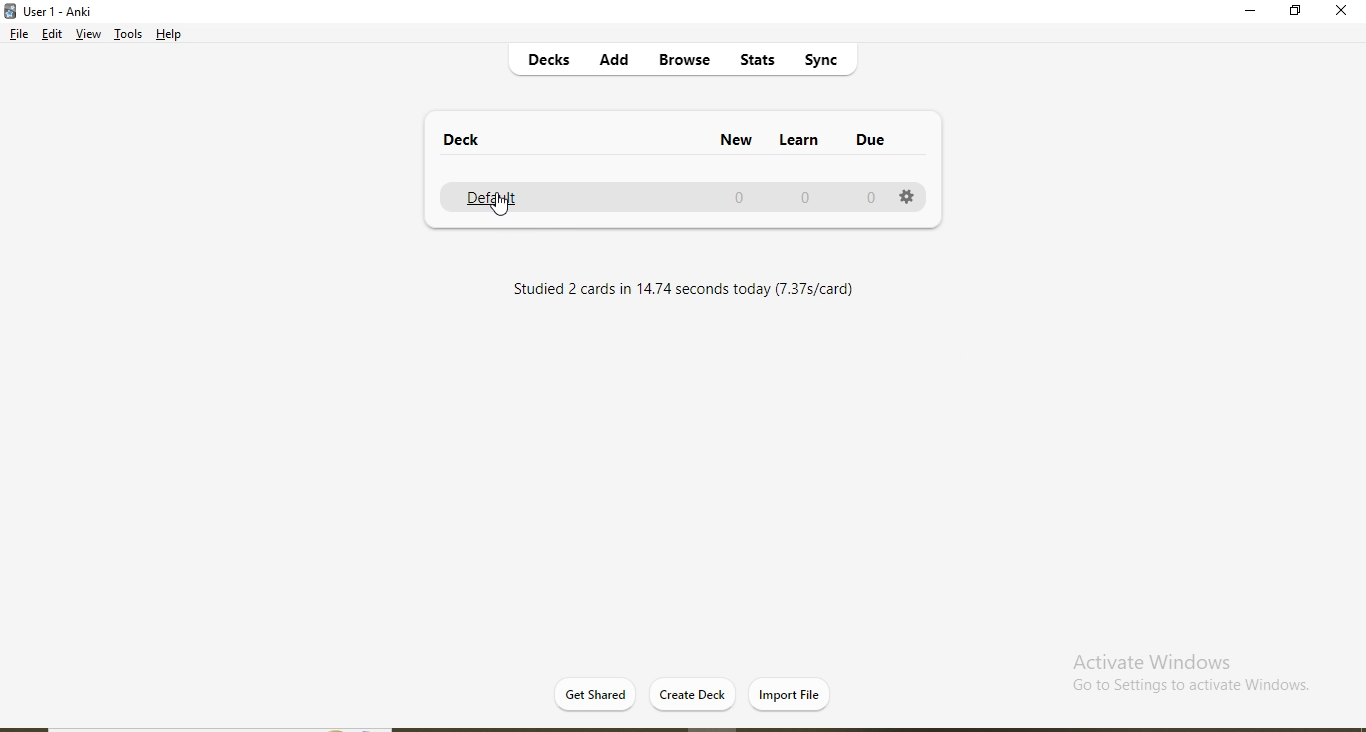 The width and height of the screenshot is (1366, 732). What do you see at coordinates (829, 63) in the screenshot?
I see `sync` at bounding box center [829, 63].